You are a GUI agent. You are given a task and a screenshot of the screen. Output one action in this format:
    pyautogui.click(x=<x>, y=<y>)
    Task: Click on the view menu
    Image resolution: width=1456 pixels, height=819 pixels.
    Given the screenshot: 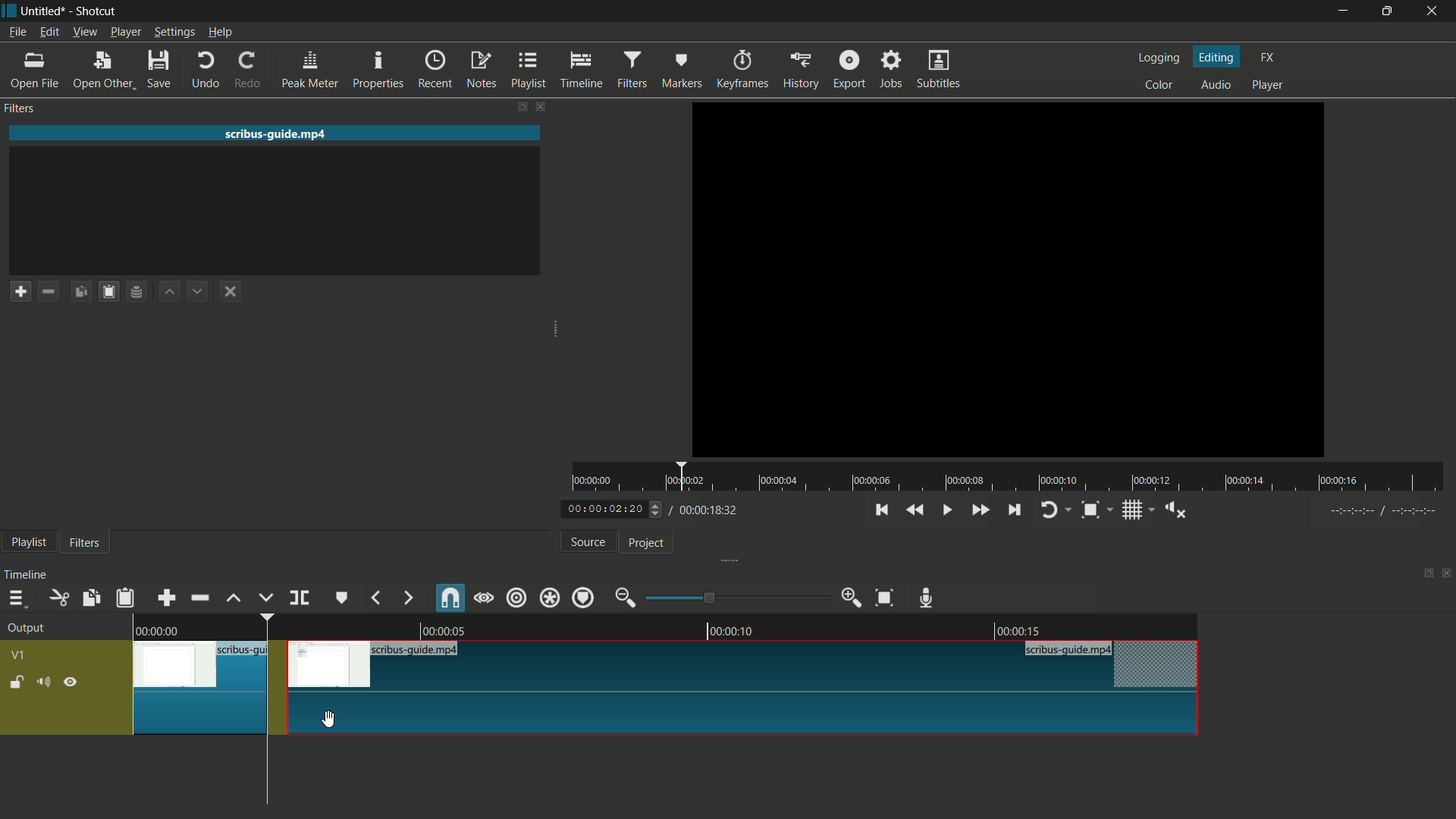 What is the action you would take?
    pyautogui.click(x=86, y=32)
    